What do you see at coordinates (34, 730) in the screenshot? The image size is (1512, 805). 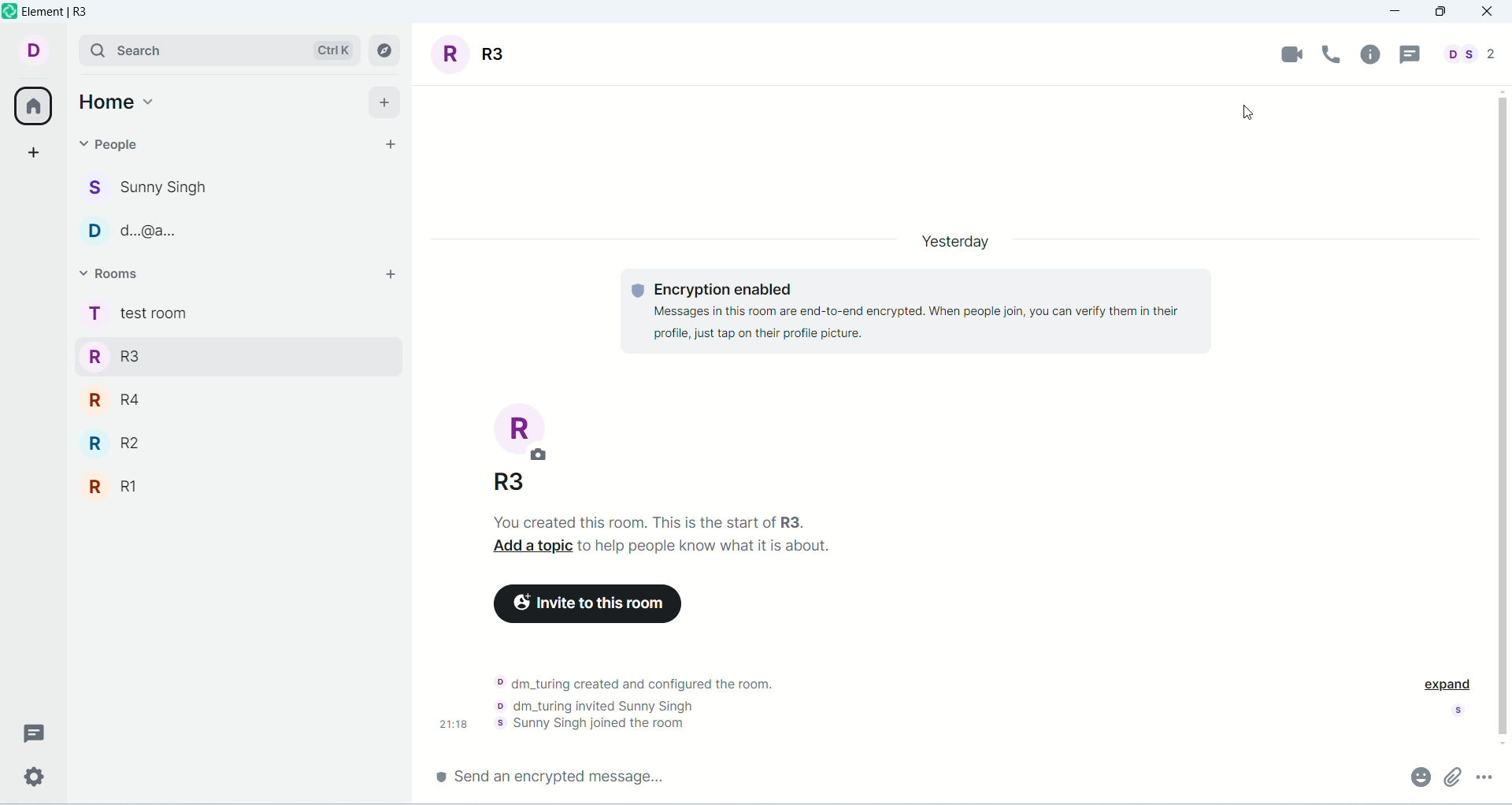 I see `threads` at bounding box center [34, 730].